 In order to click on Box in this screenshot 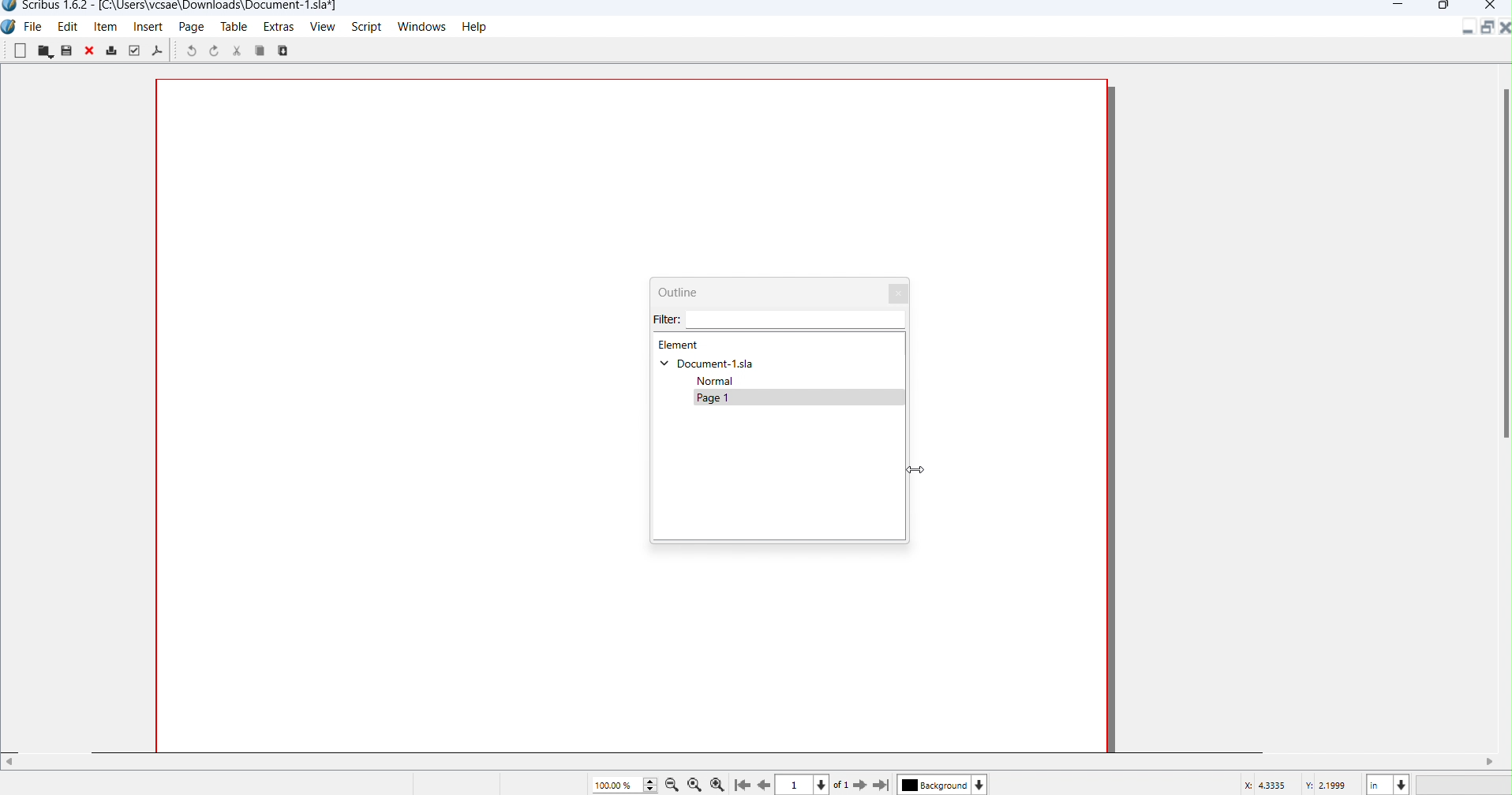, I will do `click(1443, 7)`.